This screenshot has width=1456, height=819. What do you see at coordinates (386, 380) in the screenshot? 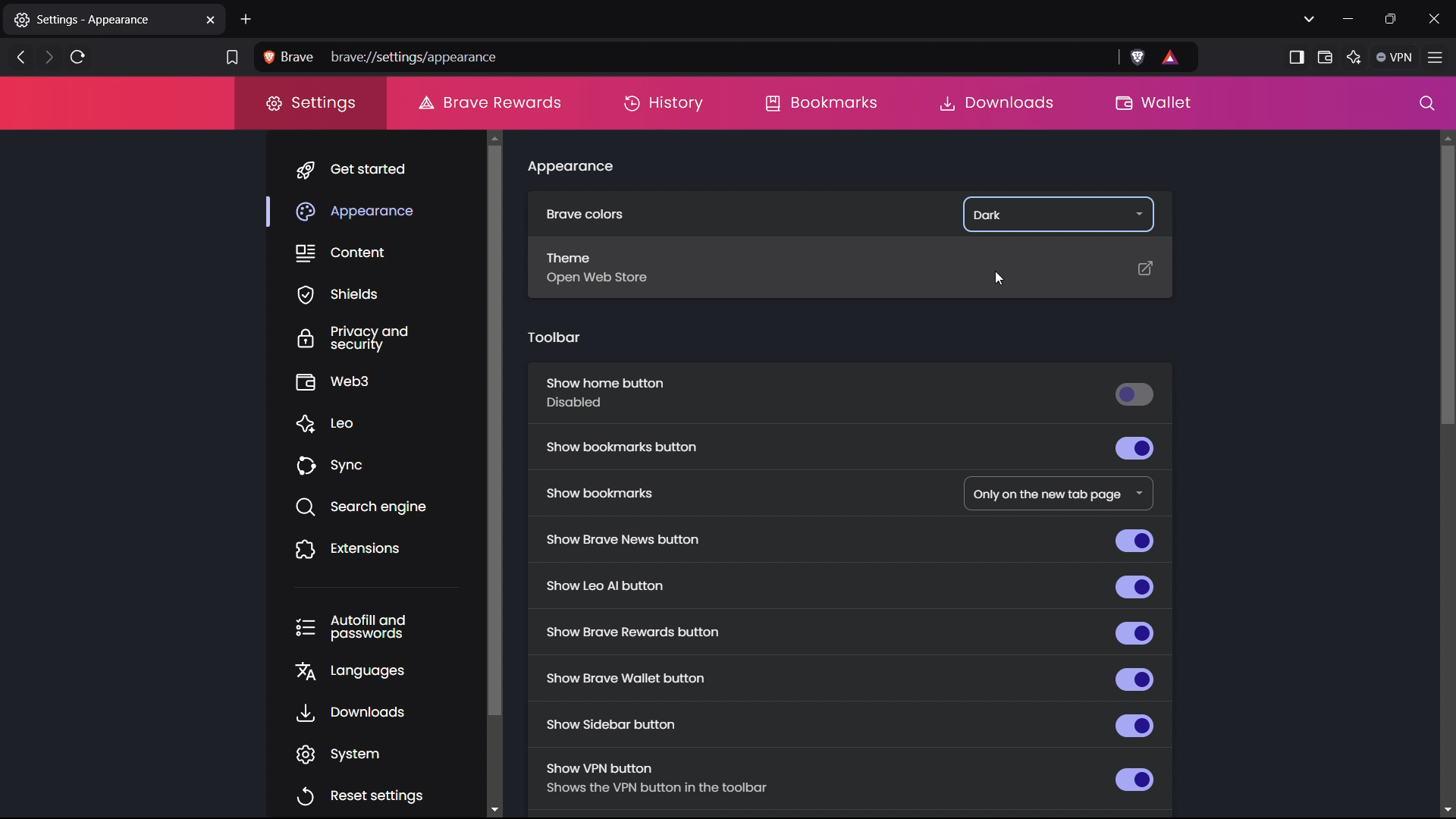
I see `web3` at bounding box center [386, 380].